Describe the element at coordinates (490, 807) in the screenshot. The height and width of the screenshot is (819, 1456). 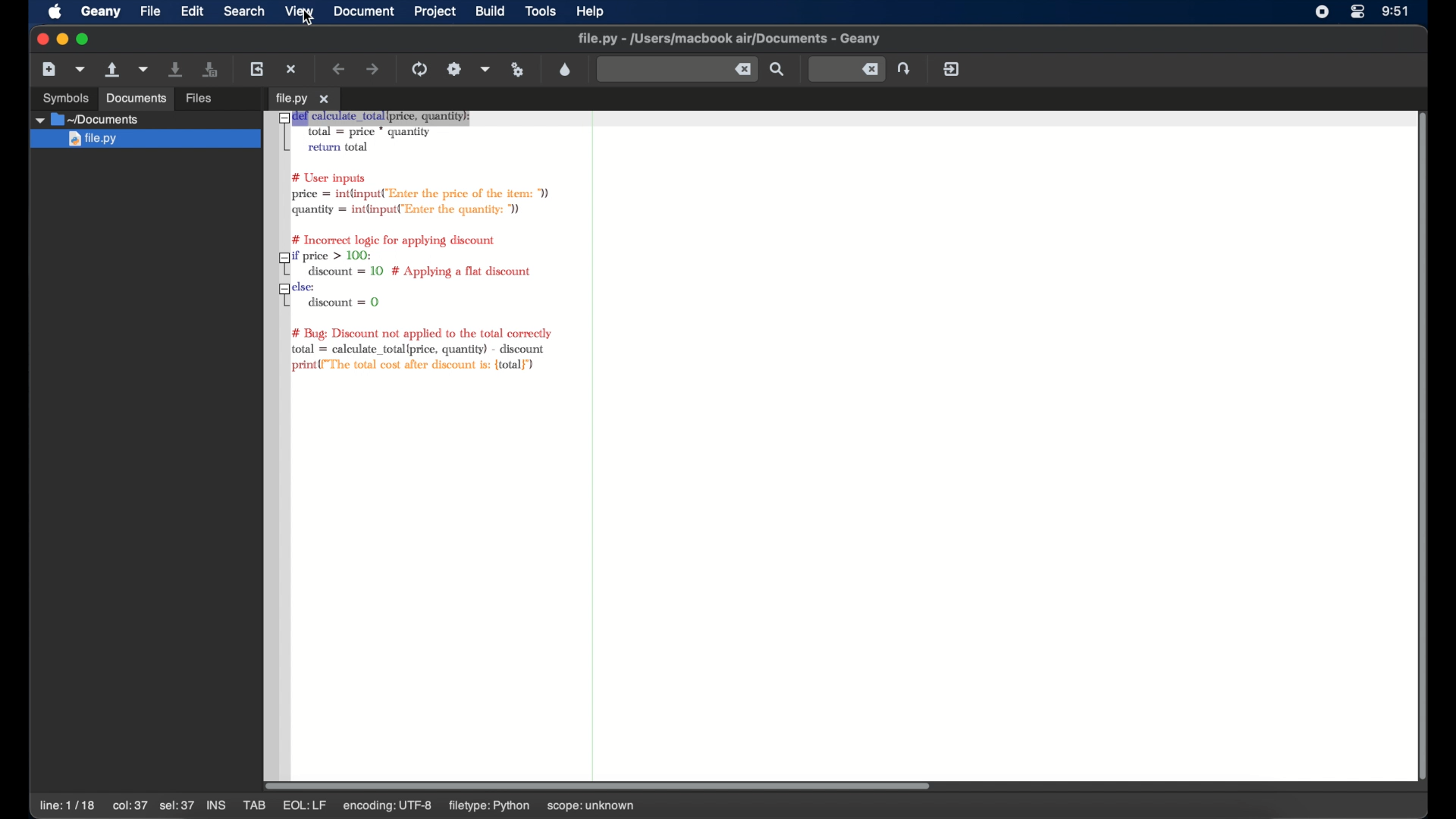
I see `filetype: python` at that location.